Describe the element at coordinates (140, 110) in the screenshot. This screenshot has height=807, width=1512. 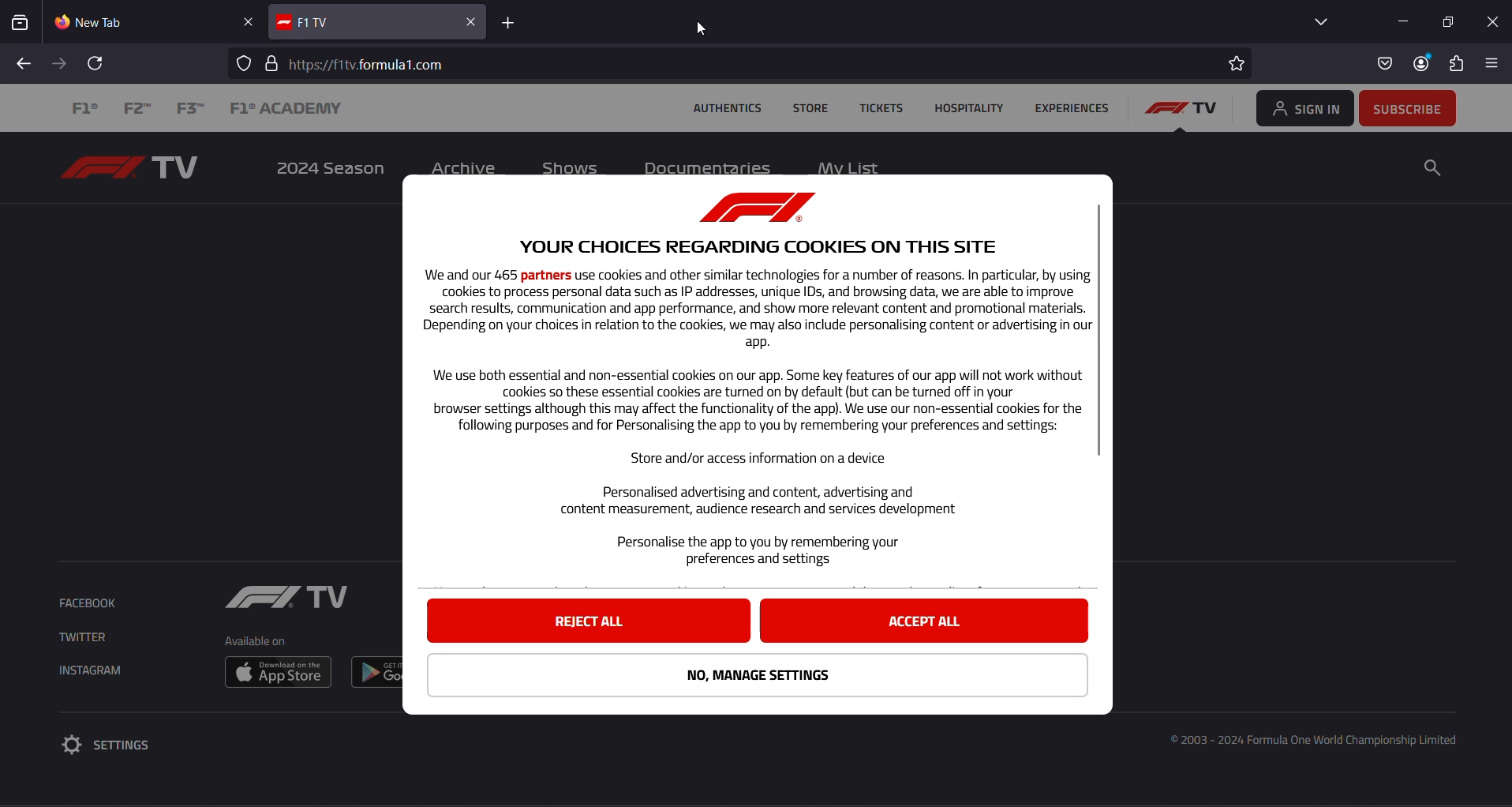
I see `f2` at that location.